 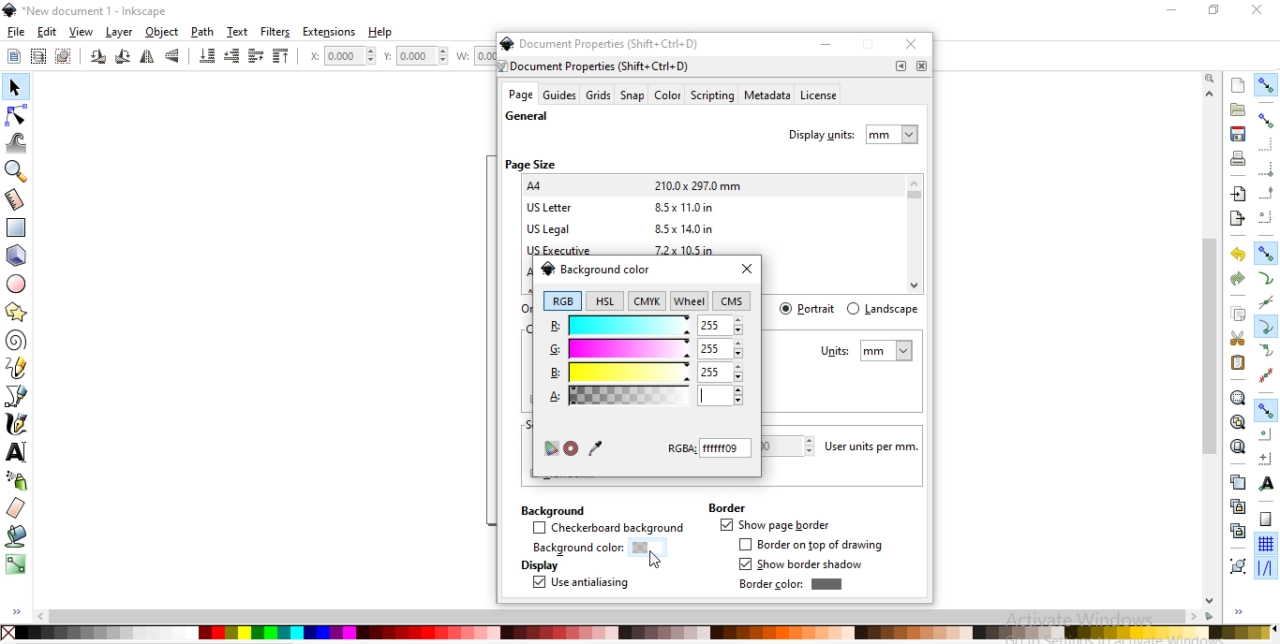 I want to click on license, so click(x=820, y=97).